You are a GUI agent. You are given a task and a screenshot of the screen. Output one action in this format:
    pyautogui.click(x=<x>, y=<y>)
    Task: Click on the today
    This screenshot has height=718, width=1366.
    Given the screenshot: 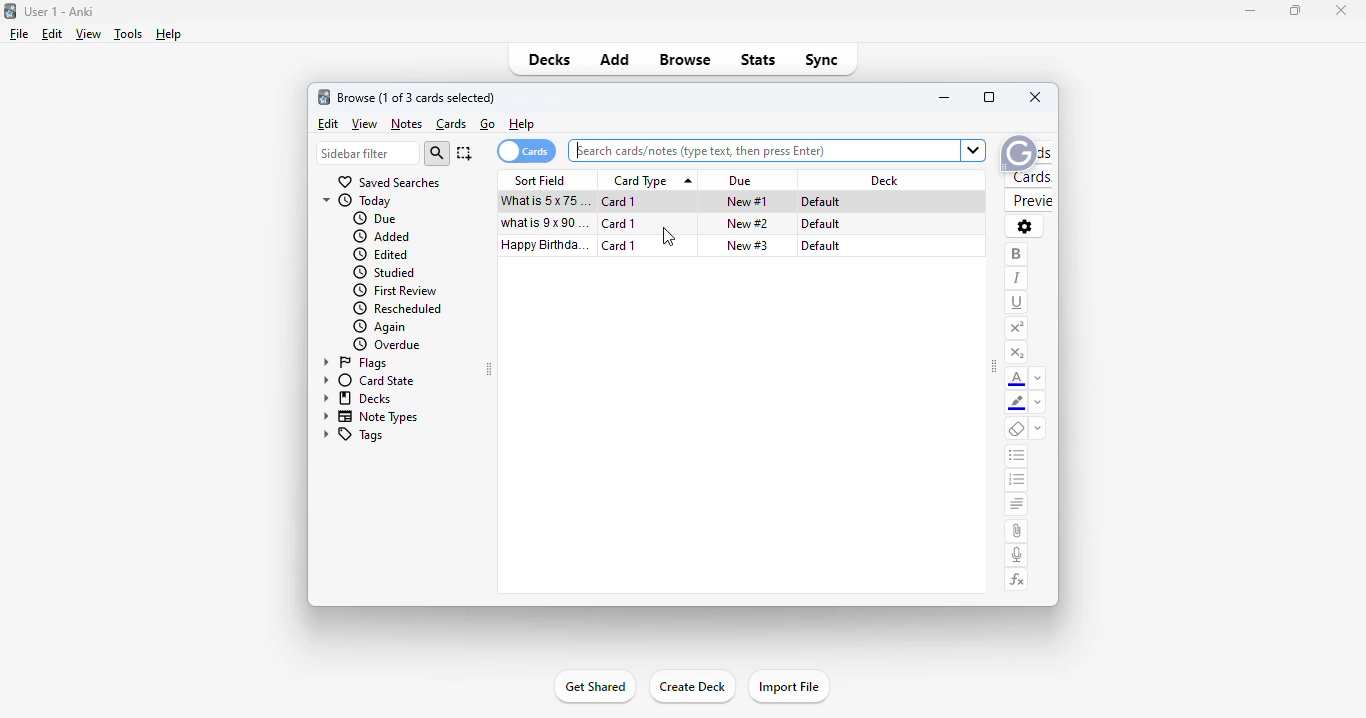 What is the action you would take?
    pyautogui.click(x=358, y=201)
    